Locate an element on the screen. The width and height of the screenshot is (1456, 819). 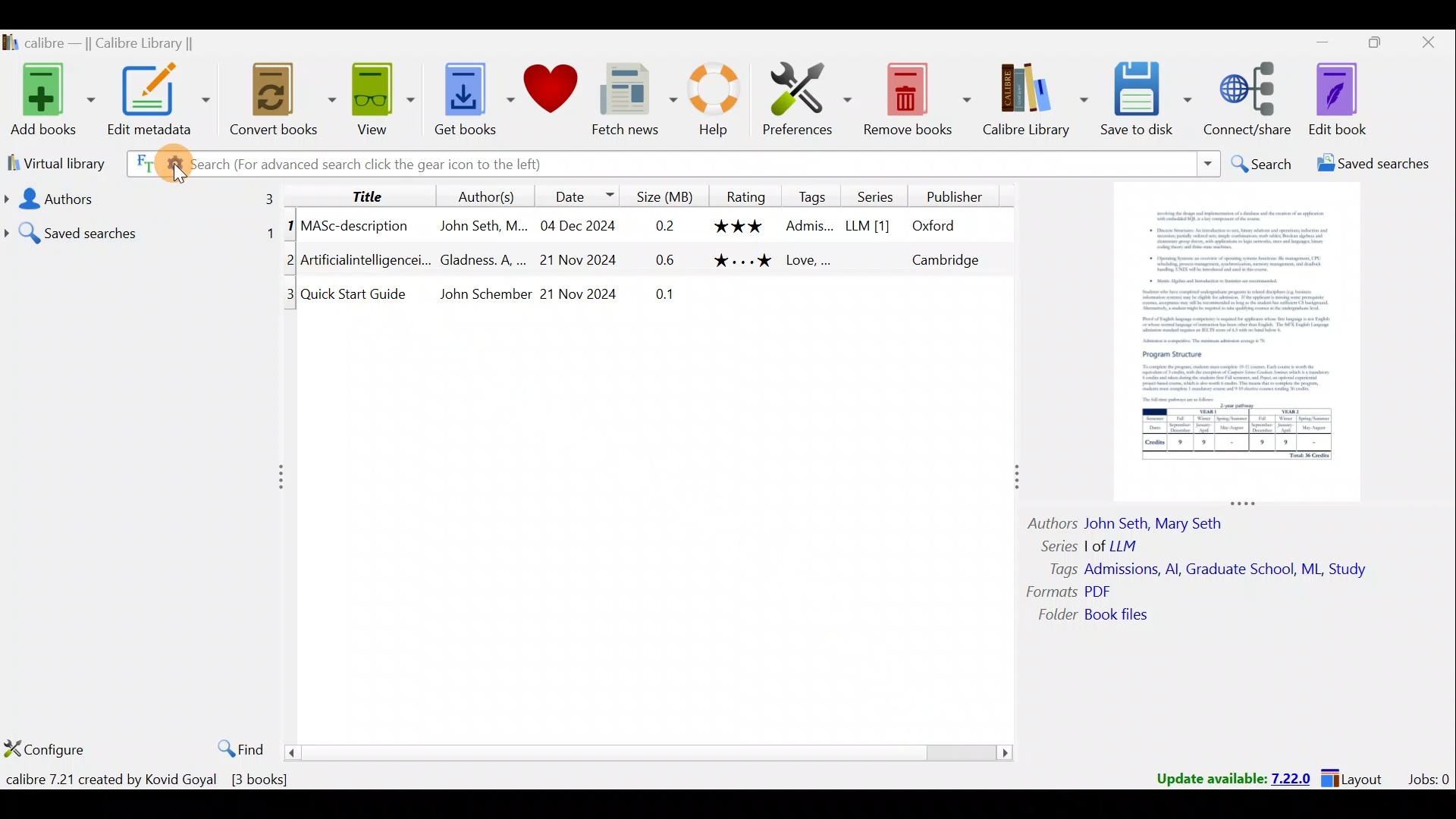
Configure is located at coordinates (45, 751).